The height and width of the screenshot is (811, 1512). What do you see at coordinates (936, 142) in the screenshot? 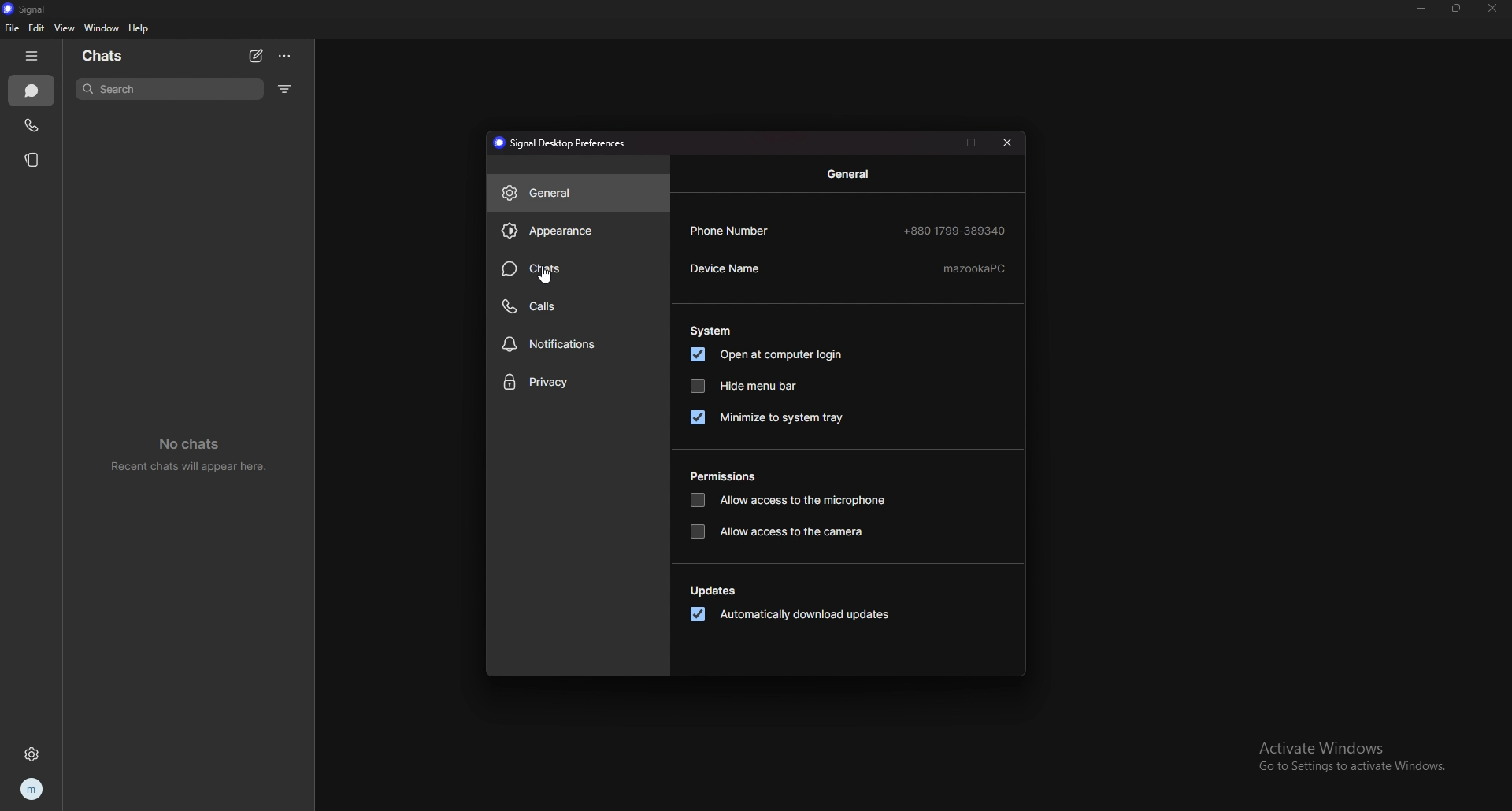
I see `minimize` at bounding box center [936, 142].